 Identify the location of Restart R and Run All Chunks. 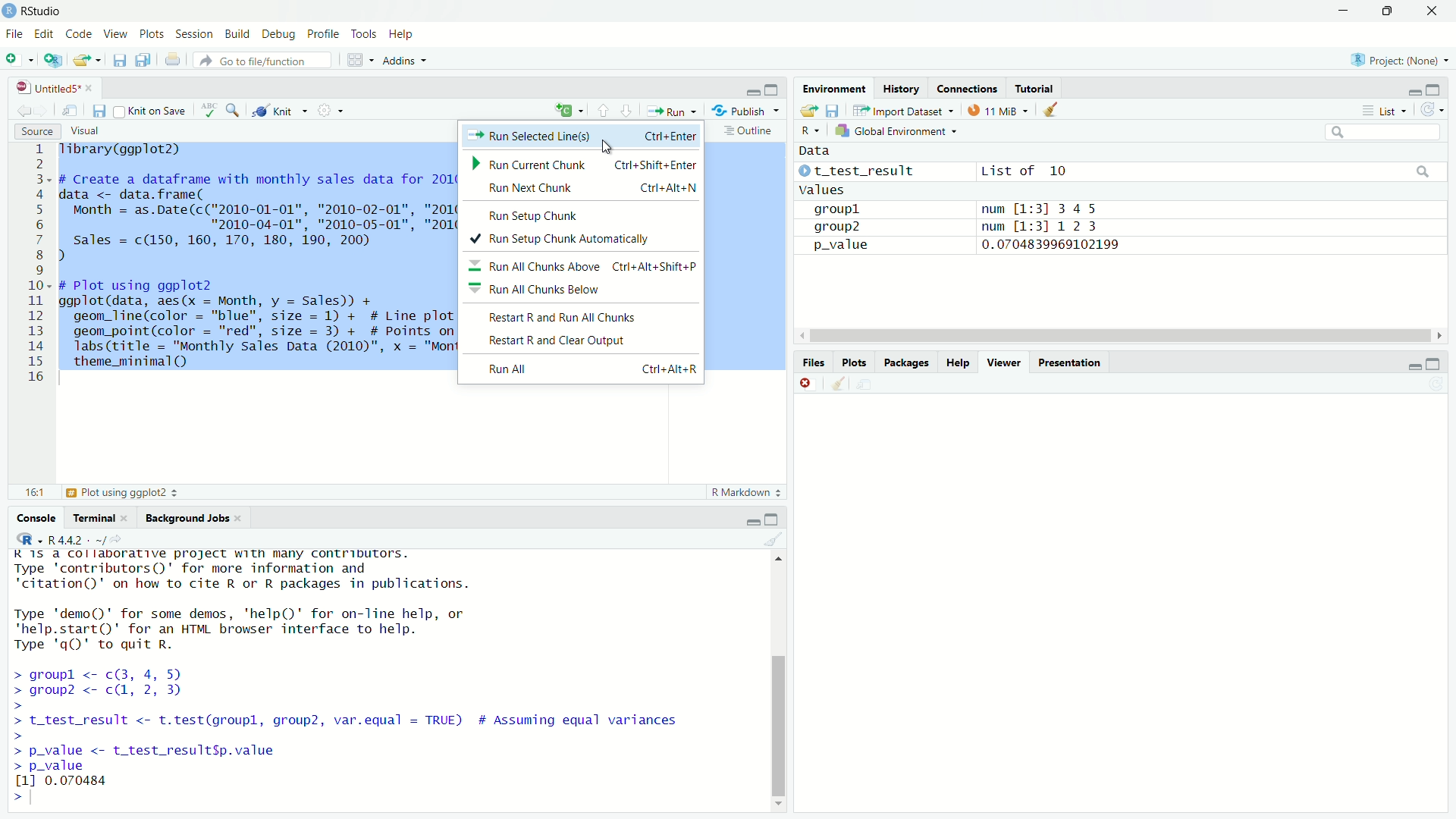
(570, 318).